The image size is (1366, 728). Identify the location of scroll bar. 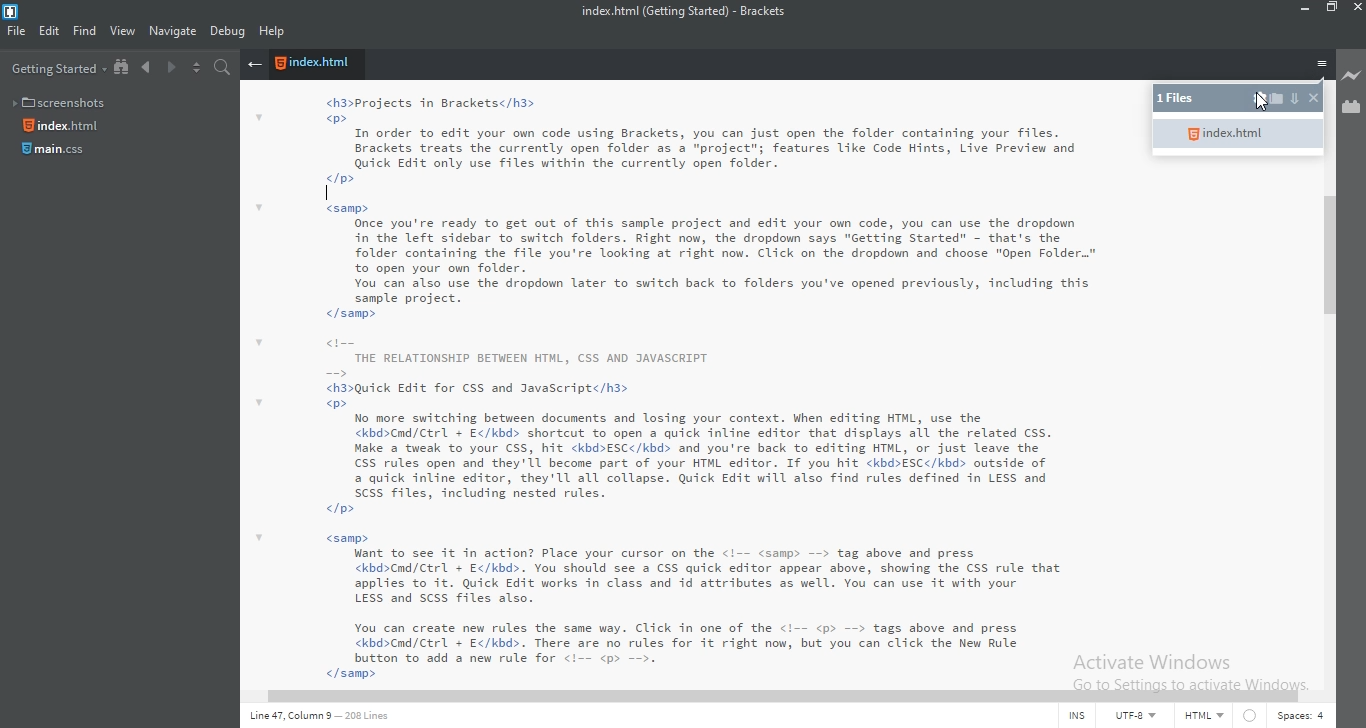
(1332, 255).